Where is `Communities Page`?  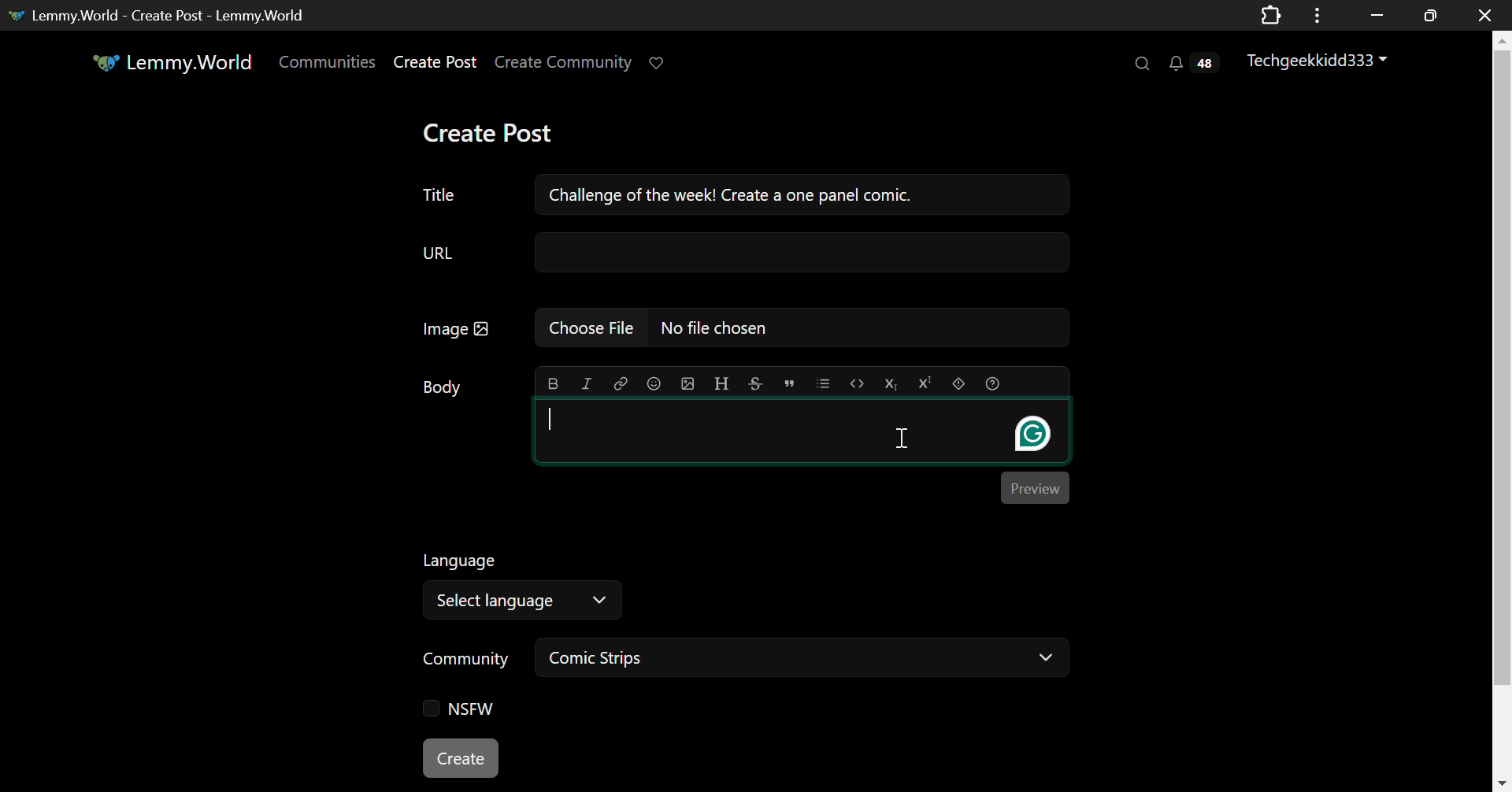 Communities Page is located at coordinates (326, 63).